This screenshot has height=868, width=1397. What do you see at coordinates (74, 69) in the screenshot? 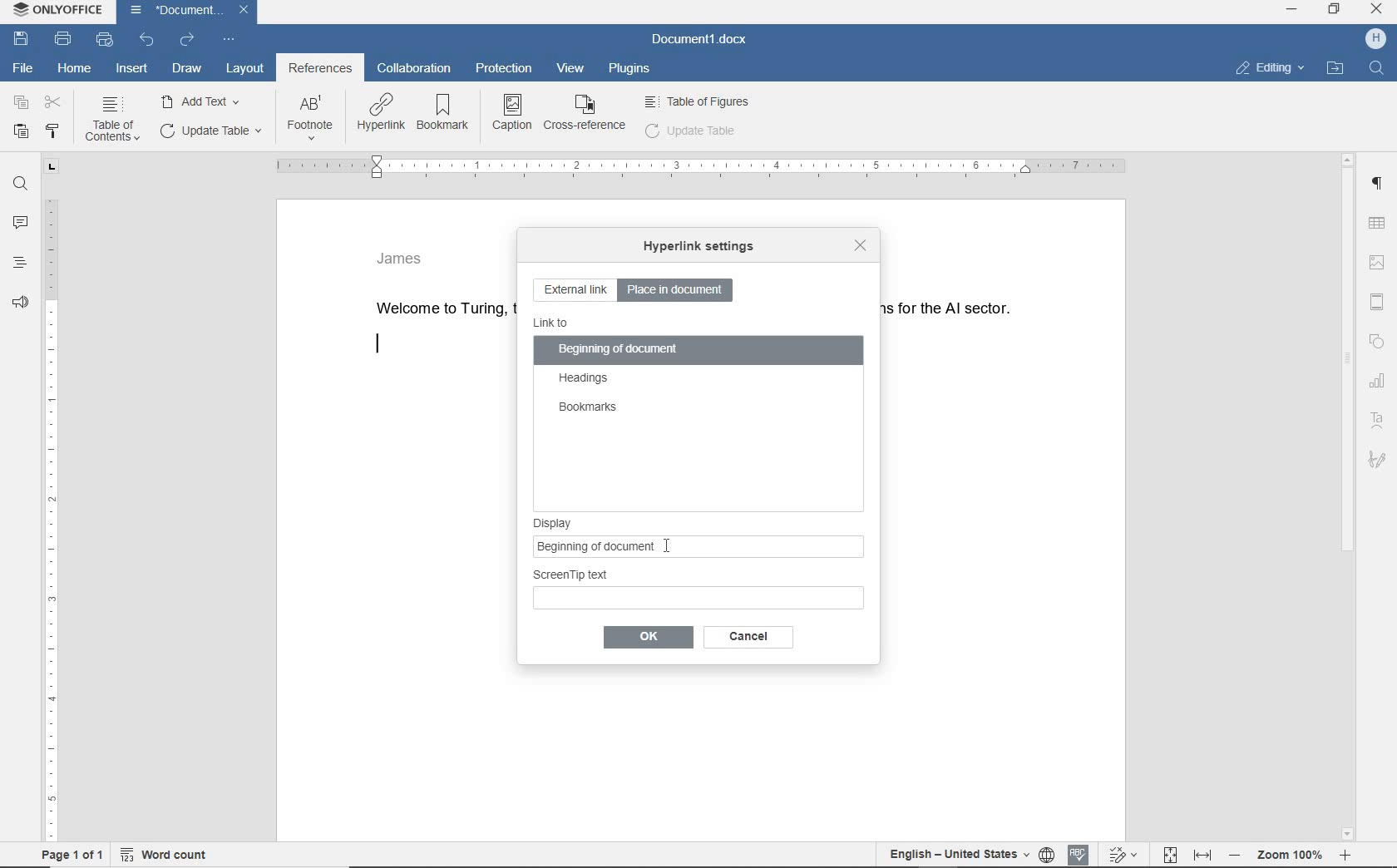
I see `home` at bounding box center [74, 69].